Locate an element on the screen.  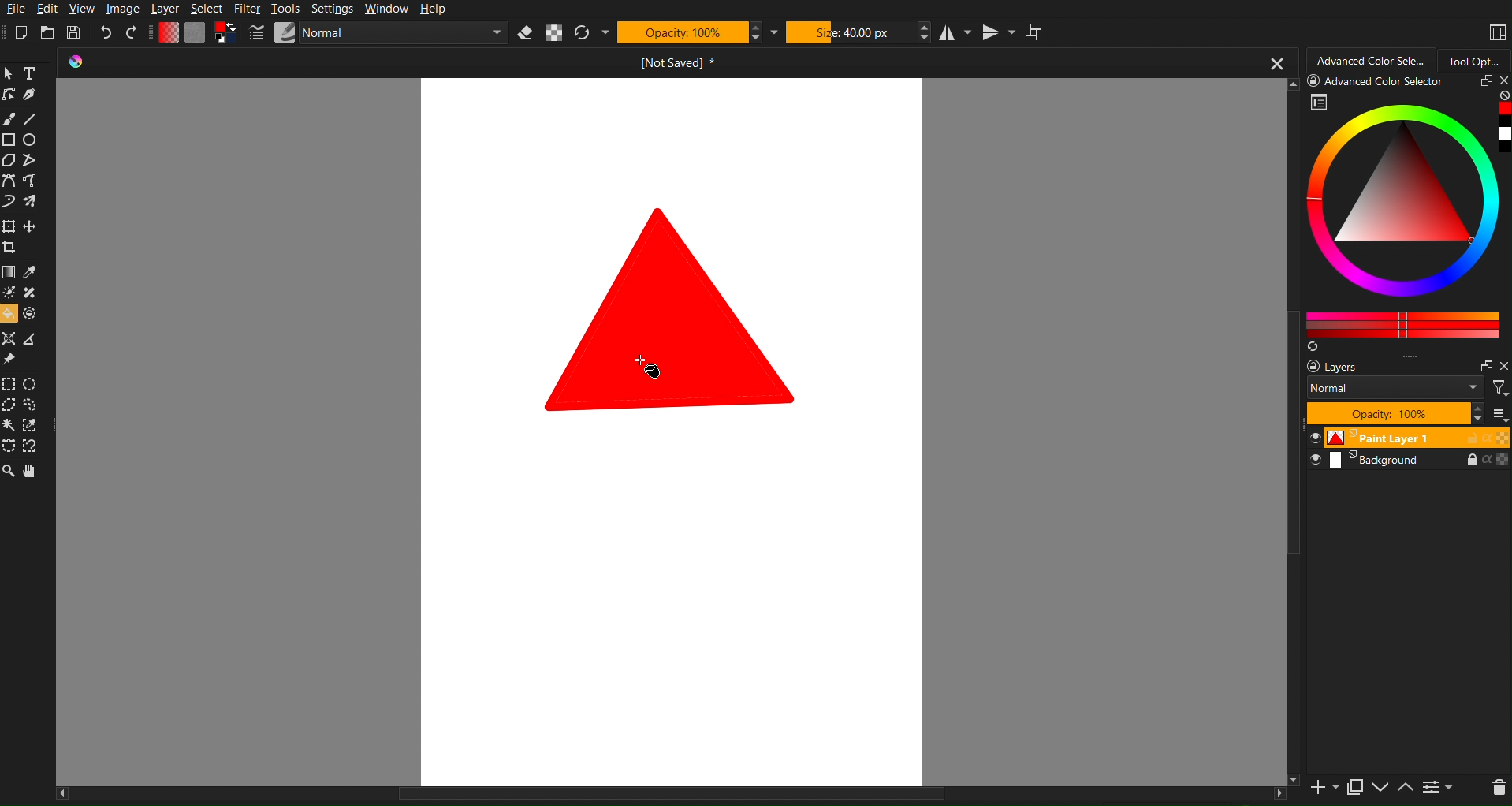
Alpha is located at coordinates (554, 33).